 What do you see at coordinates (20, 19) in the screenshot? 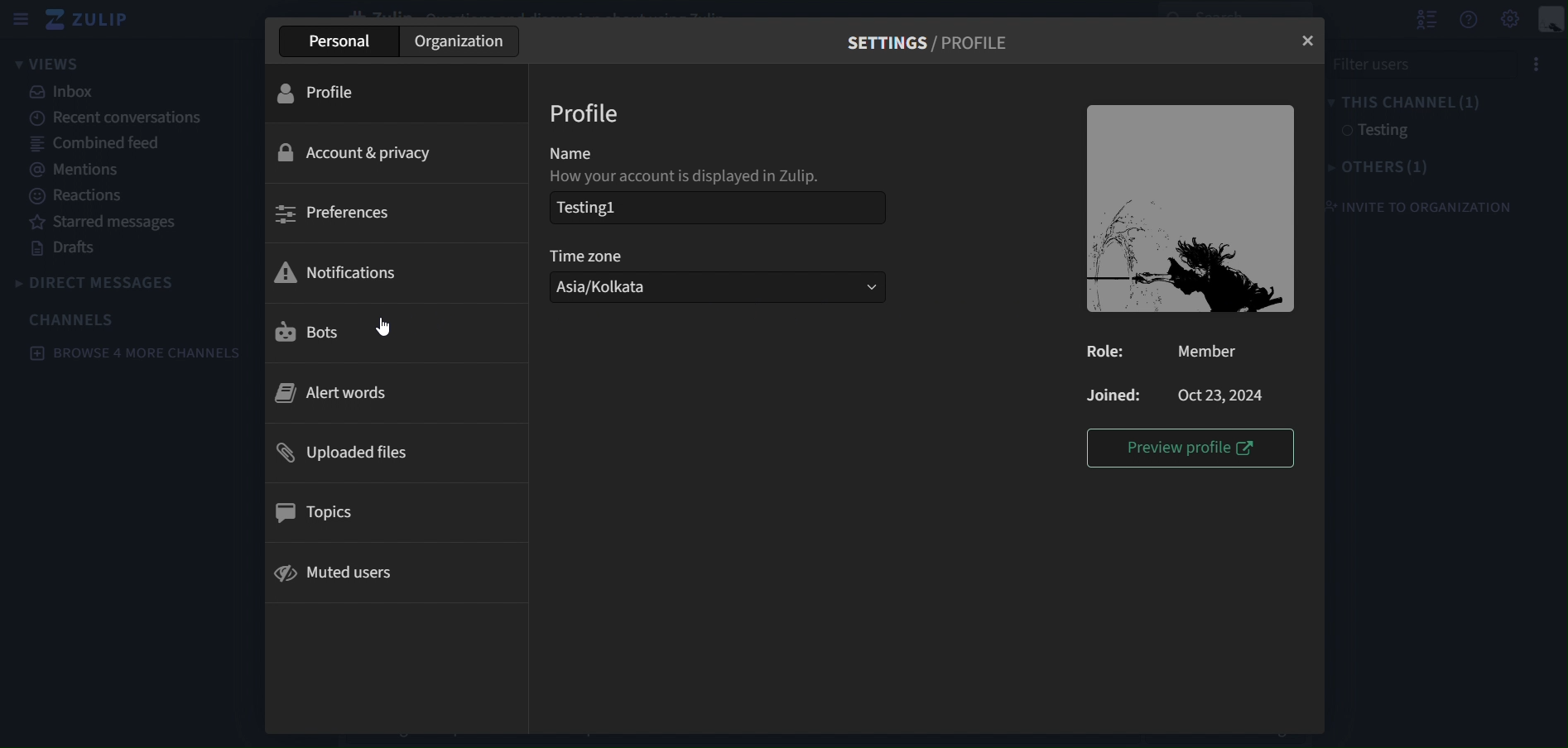
I see `sidebar` at bounding box center [20, 19].